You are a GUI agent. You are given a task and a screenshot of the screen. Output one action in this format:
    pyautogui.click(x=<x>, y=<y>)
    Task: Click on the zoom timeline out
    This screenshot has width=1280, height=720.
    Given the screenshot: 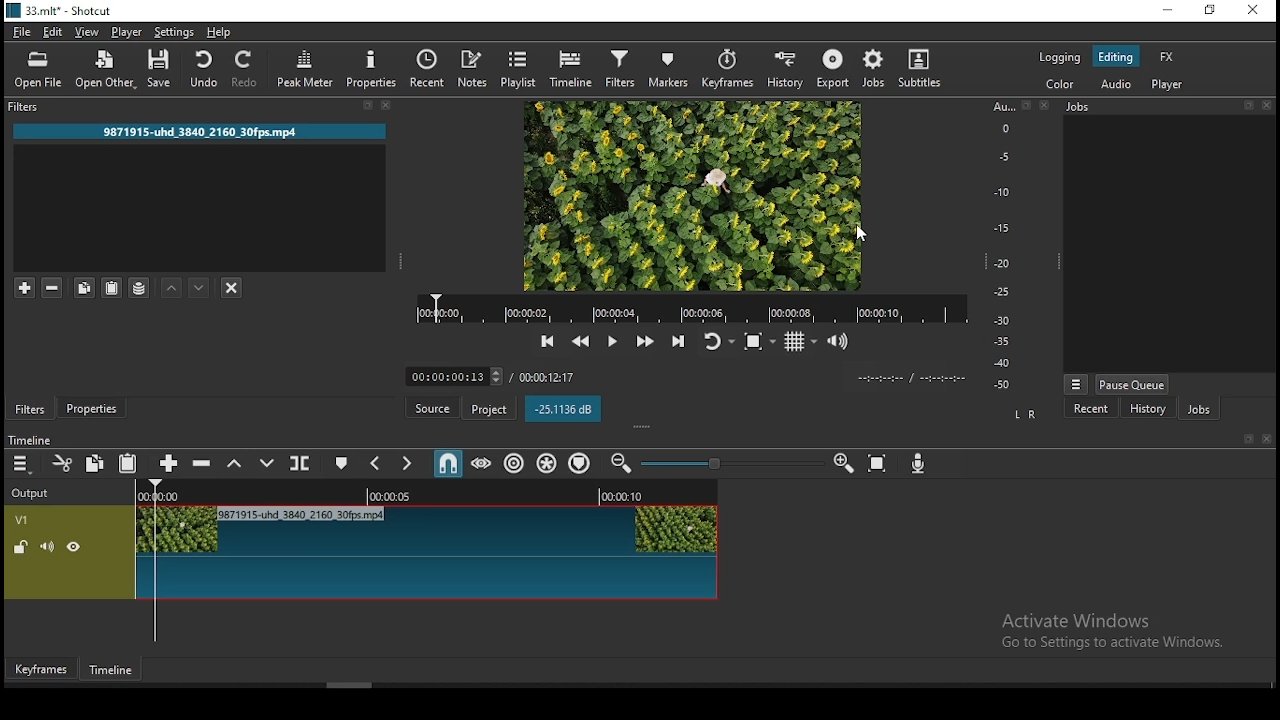 What is the action you would take?
    pyautogui.click(x=621, y=462)
    